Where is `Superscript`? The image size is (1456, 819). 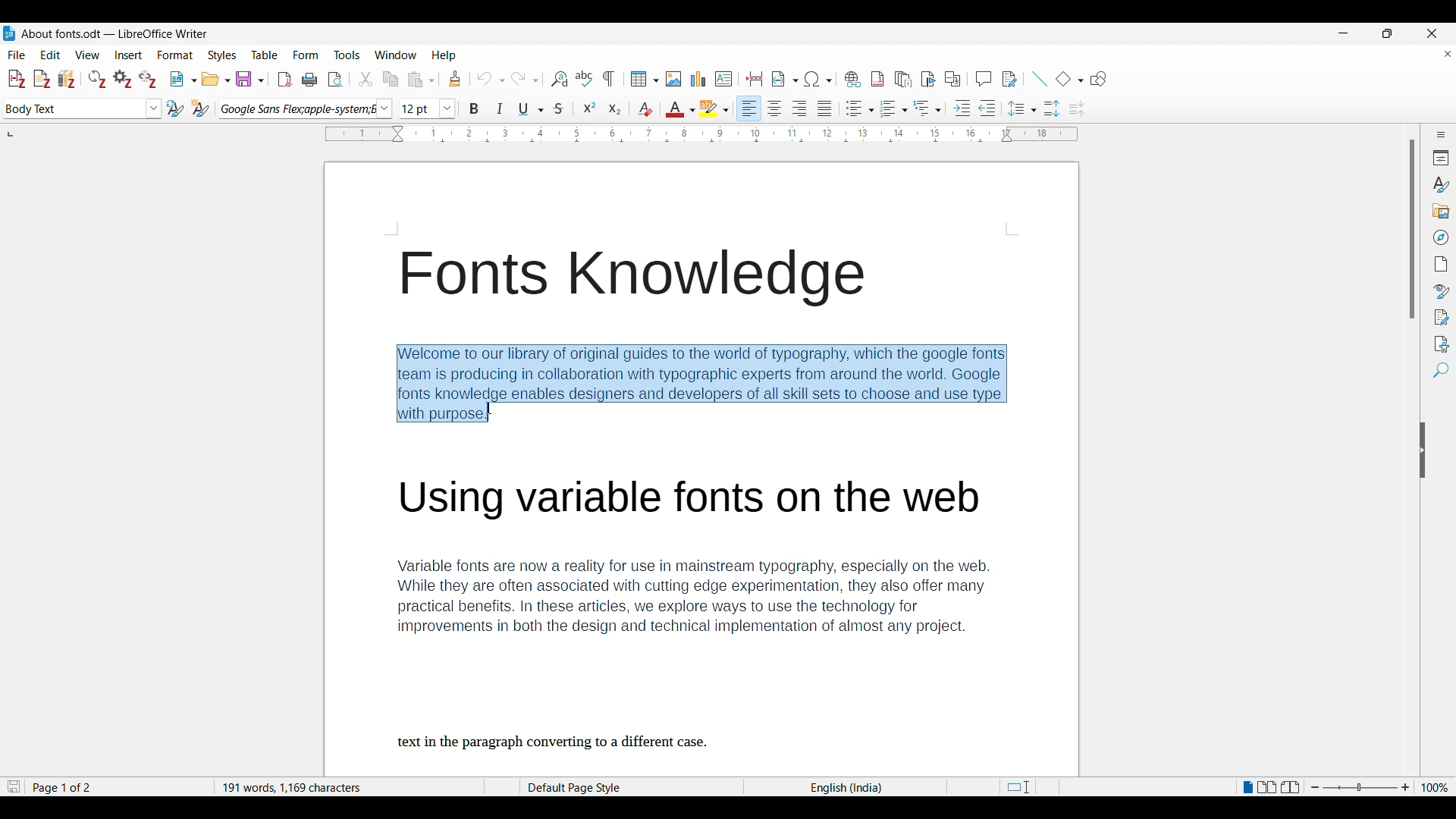 Superscript is located at coordinates (590, 108).